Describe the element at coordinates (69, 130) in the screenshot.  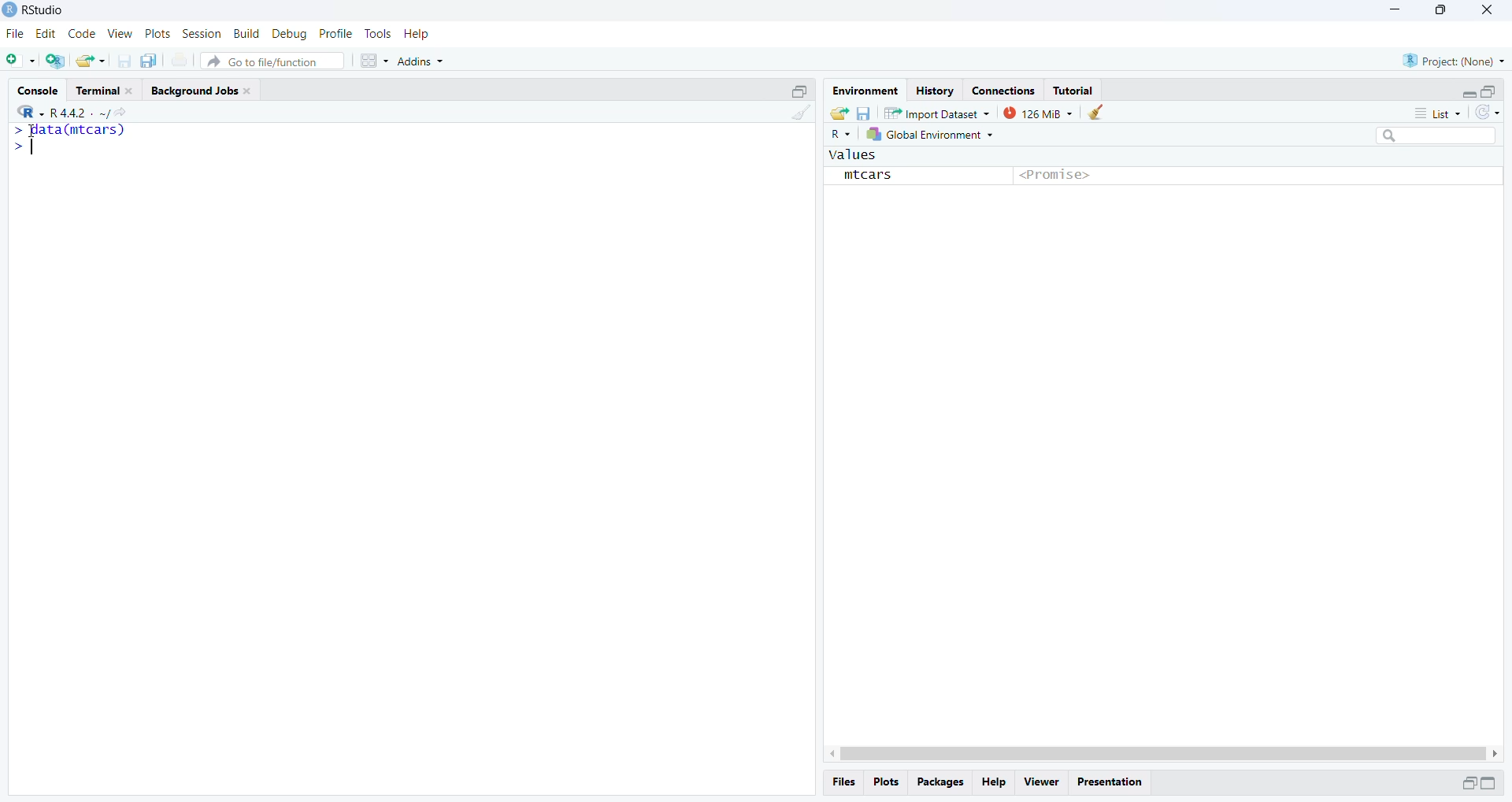
I see `data(mtcars)` at that location.